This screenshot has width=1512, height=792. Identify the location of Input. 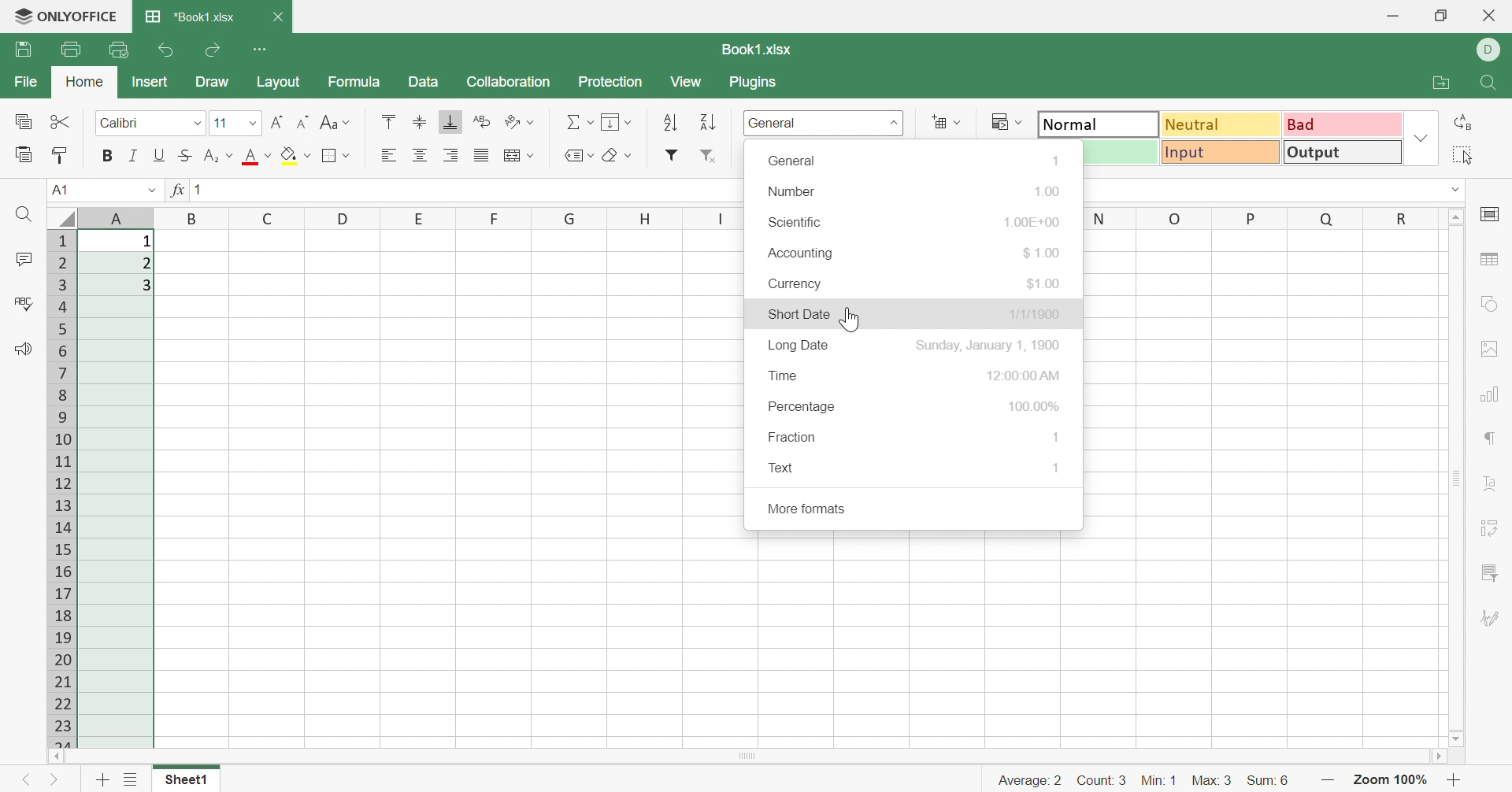
(1222, 154).